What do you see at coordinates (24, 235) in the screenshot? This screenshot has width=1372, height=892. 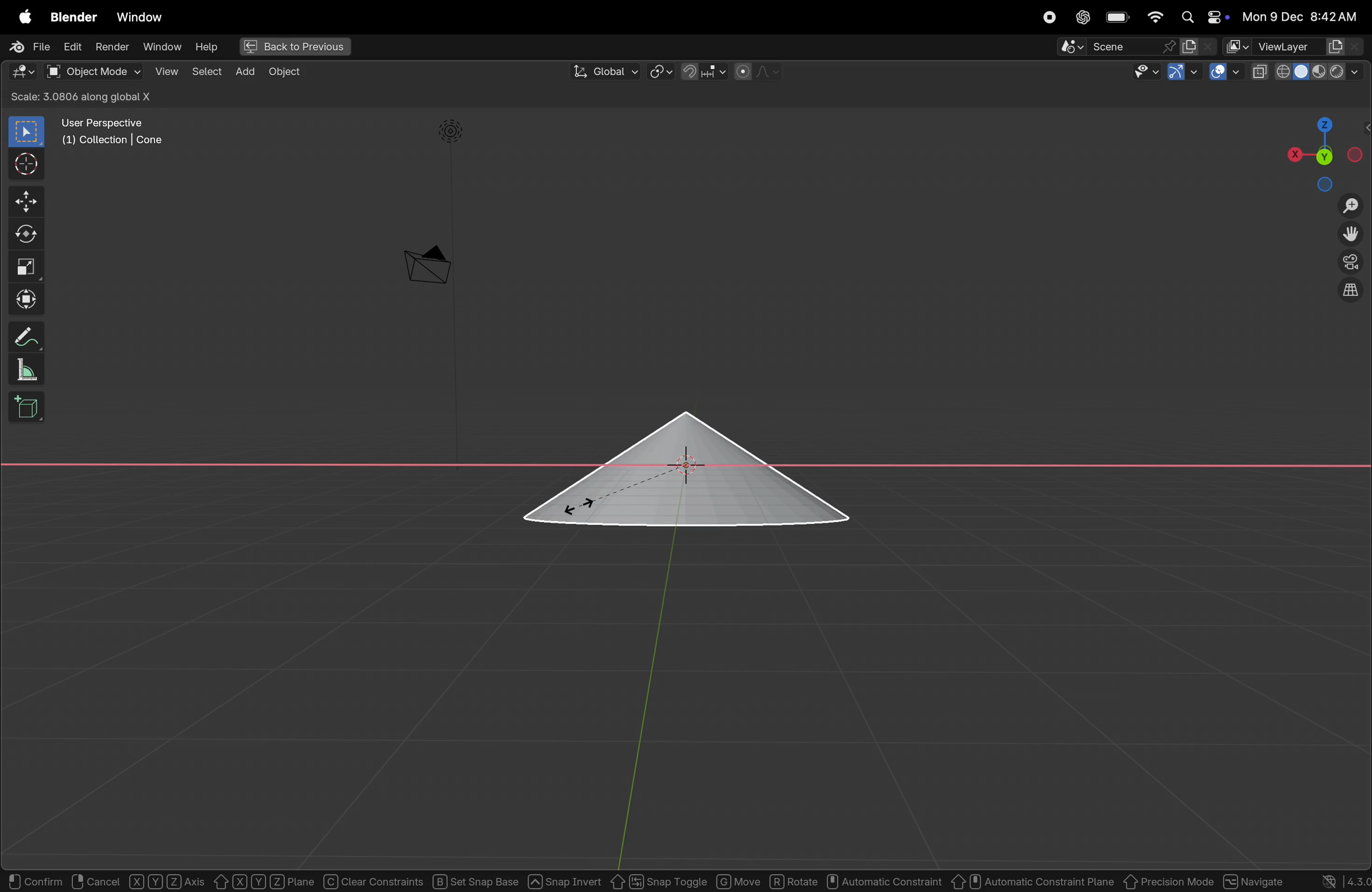 I see `rotate` at bounding box center [24, 235].